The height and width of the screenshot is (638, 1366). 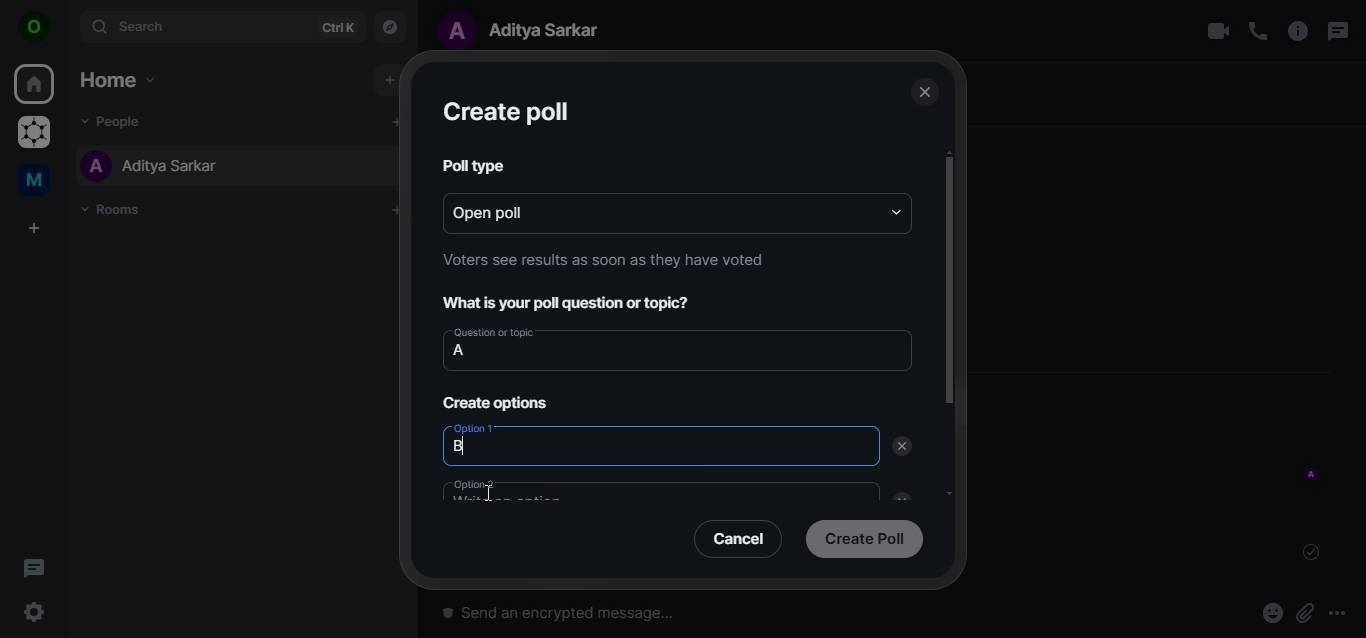 What do you see at coordinates (1344, 613) in the screenshot?
I see `more options` at bounding box center [1344, 613].